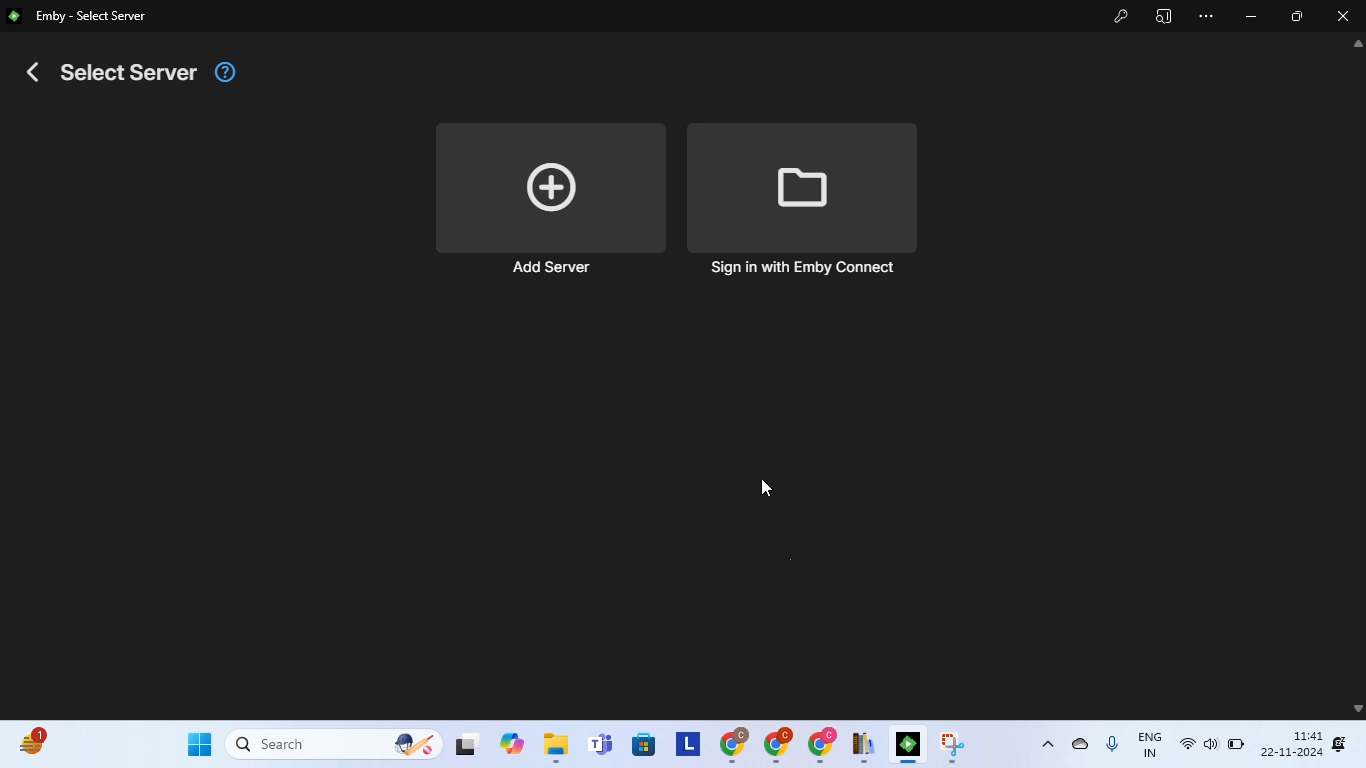  Describe the element at coordinates (1211, 745) in the screenshot. I see `wi-fi/speakers/battery status` at that location.